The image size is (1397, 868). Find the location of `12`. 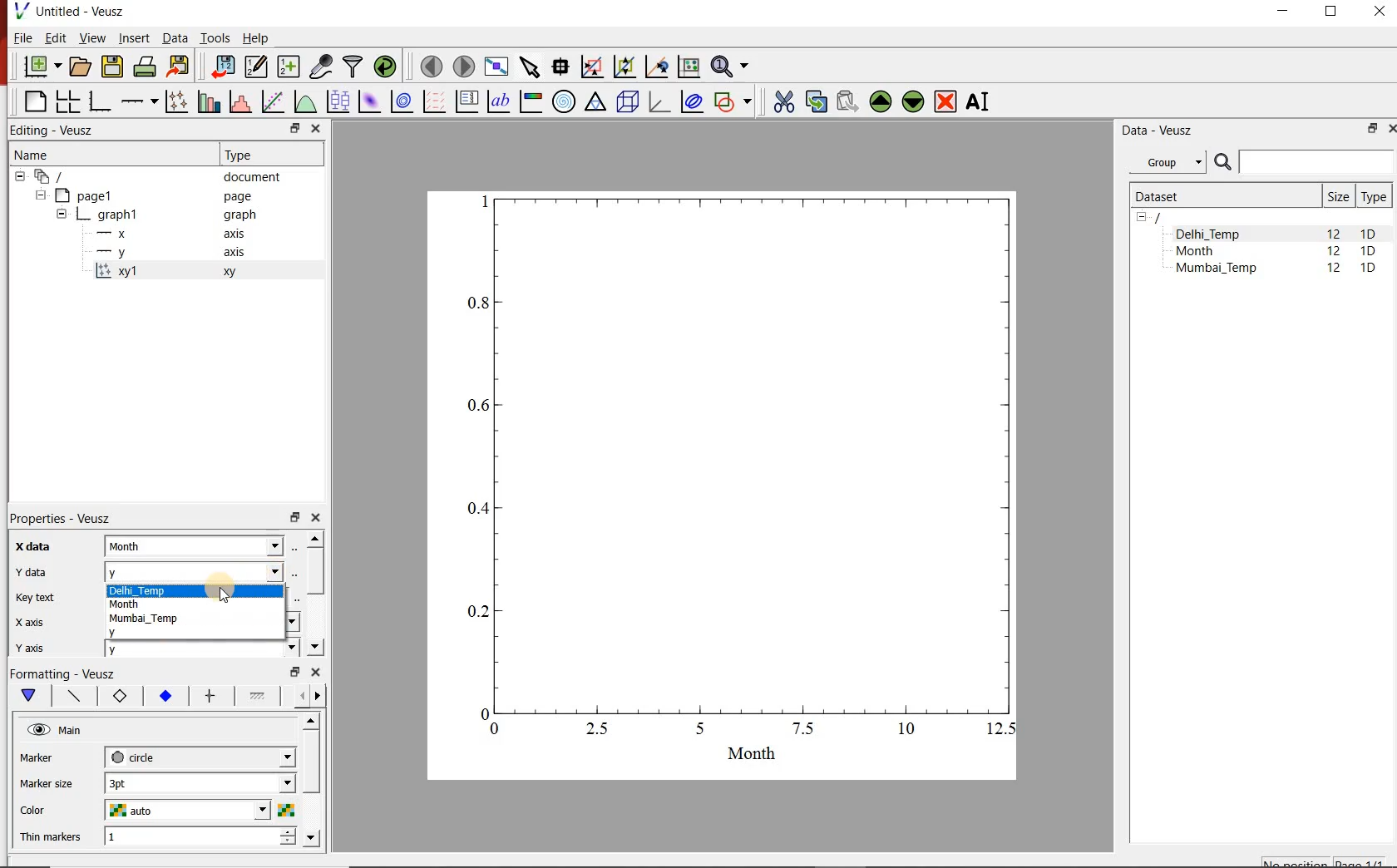

12 is located at coordinates (1334, 253).